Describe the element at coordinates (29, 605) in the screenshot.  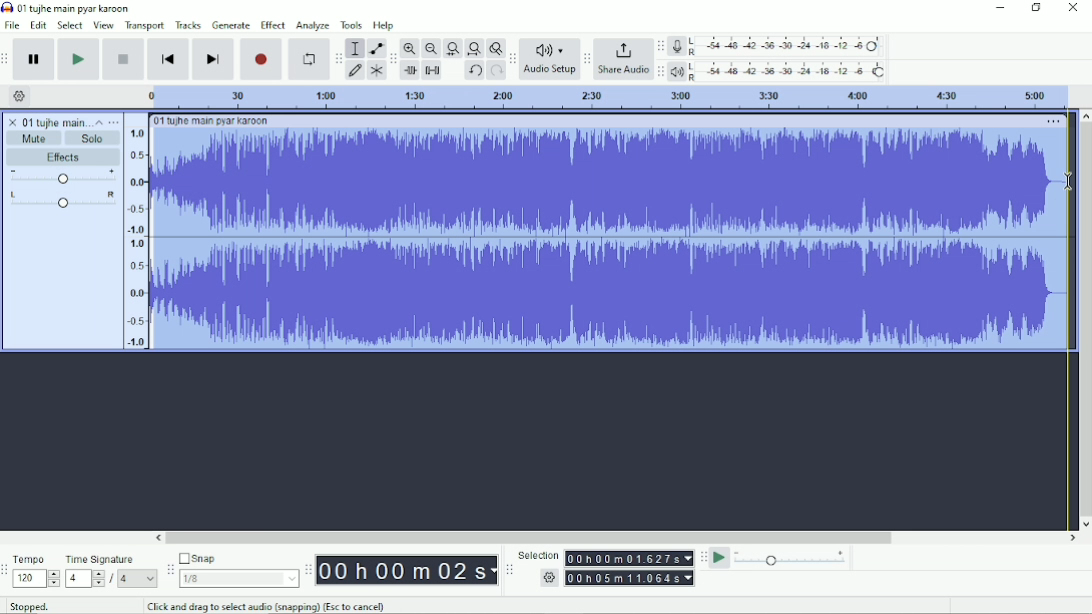
I see `Stopped` at that location.